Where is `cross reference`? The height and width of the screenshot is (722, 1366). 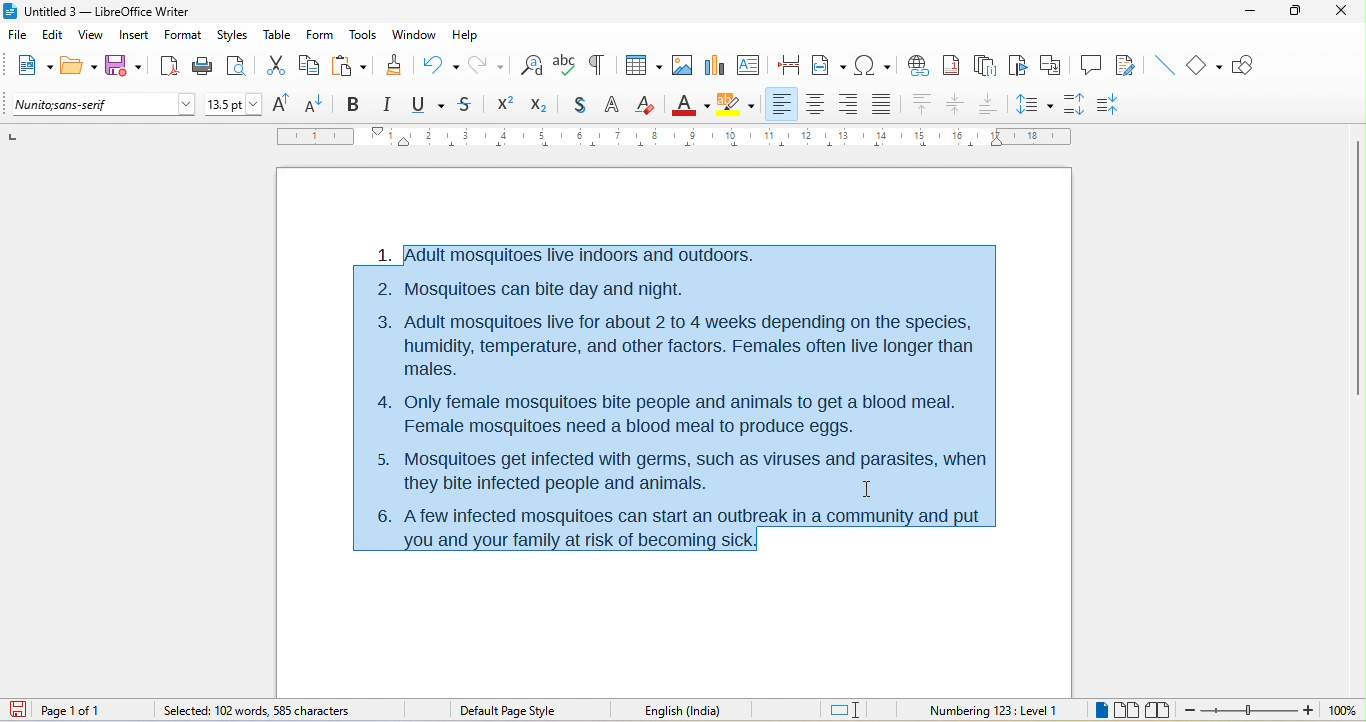
cross reference is located at coordinates (1055, 65).